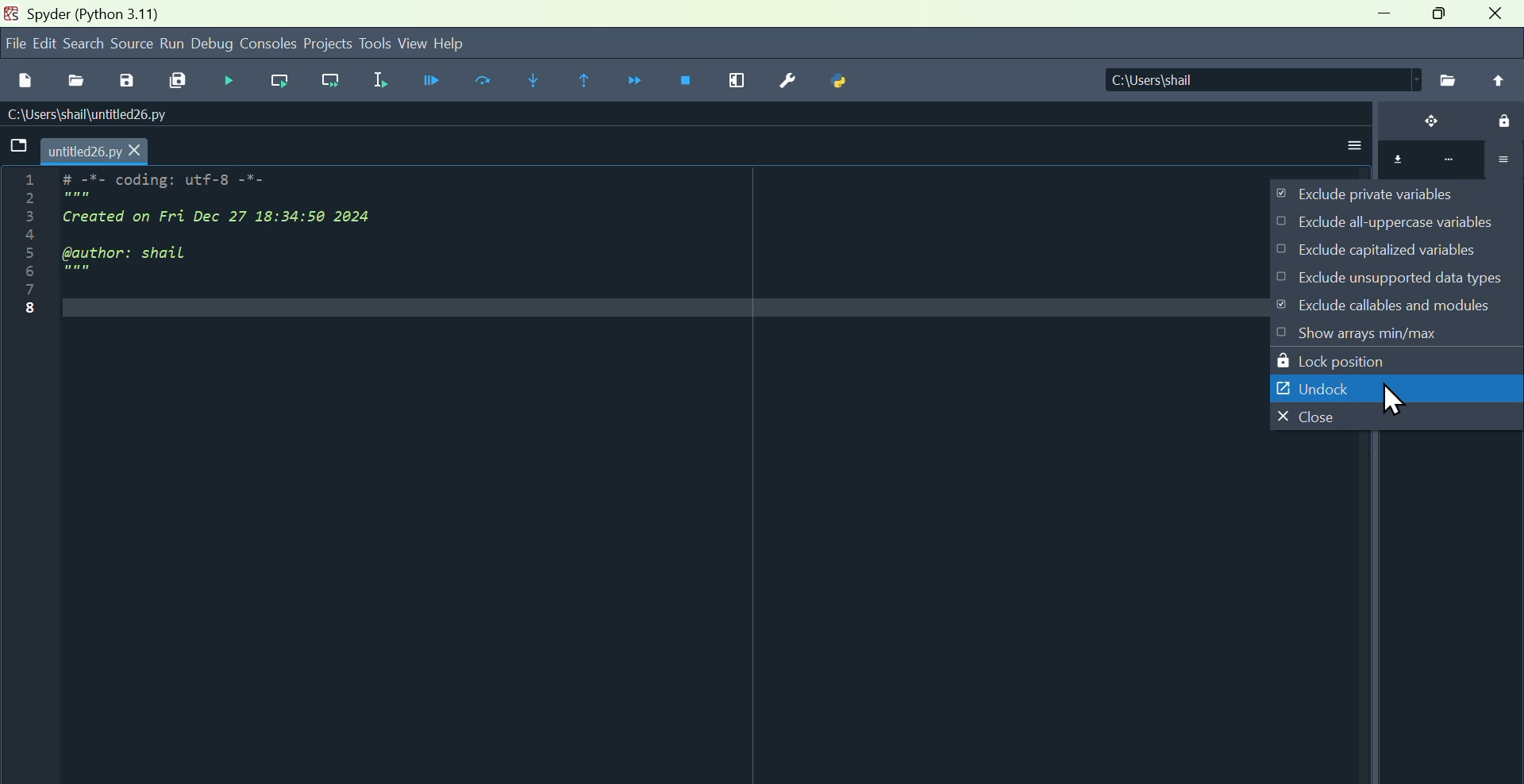 Image resolution: width=1524 pixels, height=784 pixels. What do you see at coordinates (470, 41) in the screenshot?
I see `help` at bounding box center [470, 41].